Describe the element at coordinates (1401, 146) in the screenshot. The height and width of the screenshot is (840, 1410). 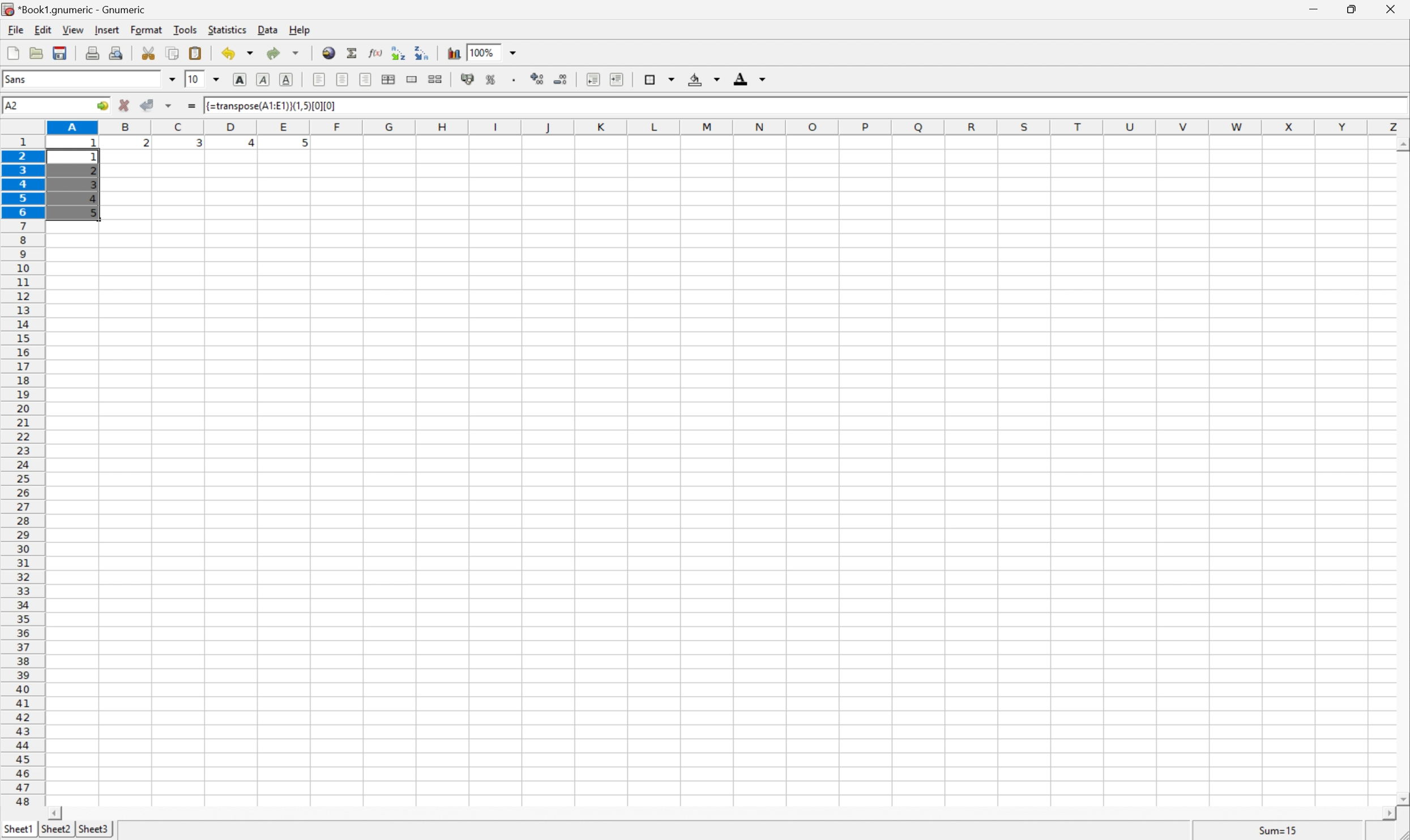
I see `scroll up` at that location.